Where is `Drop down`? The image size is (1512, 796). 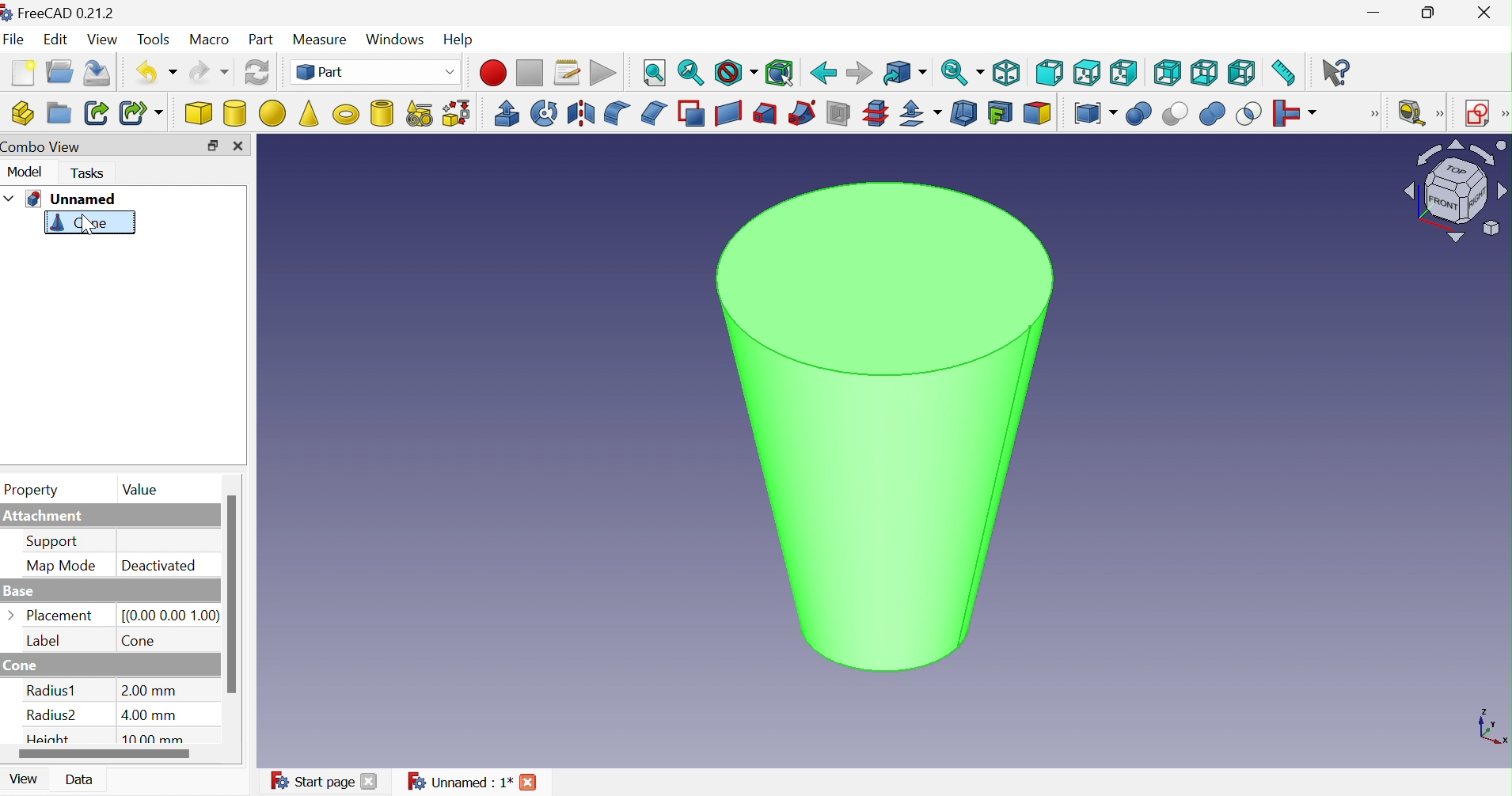
Drop down is located at coordinates (9, 198).